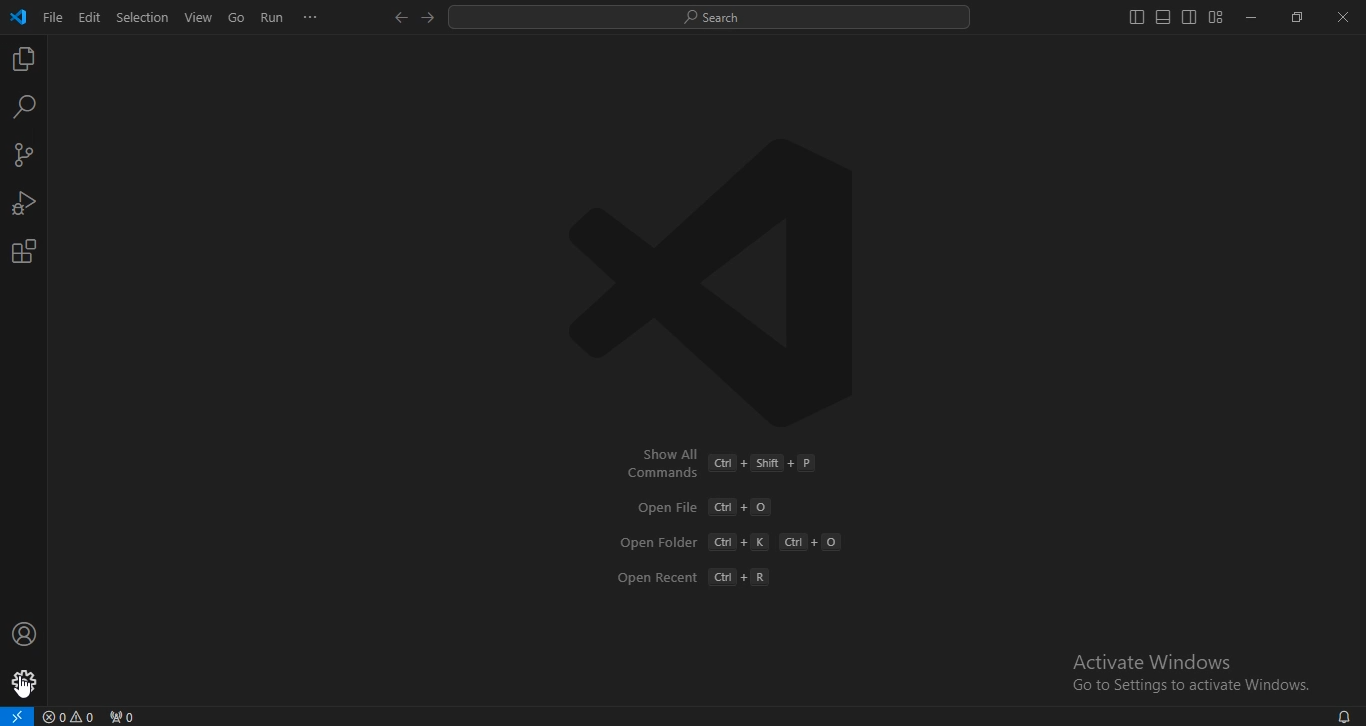 The height and width of the screenshot is (726, 1366). Describe the element at coordinates (53, 16) in the screenshot. I see `file` at that location.